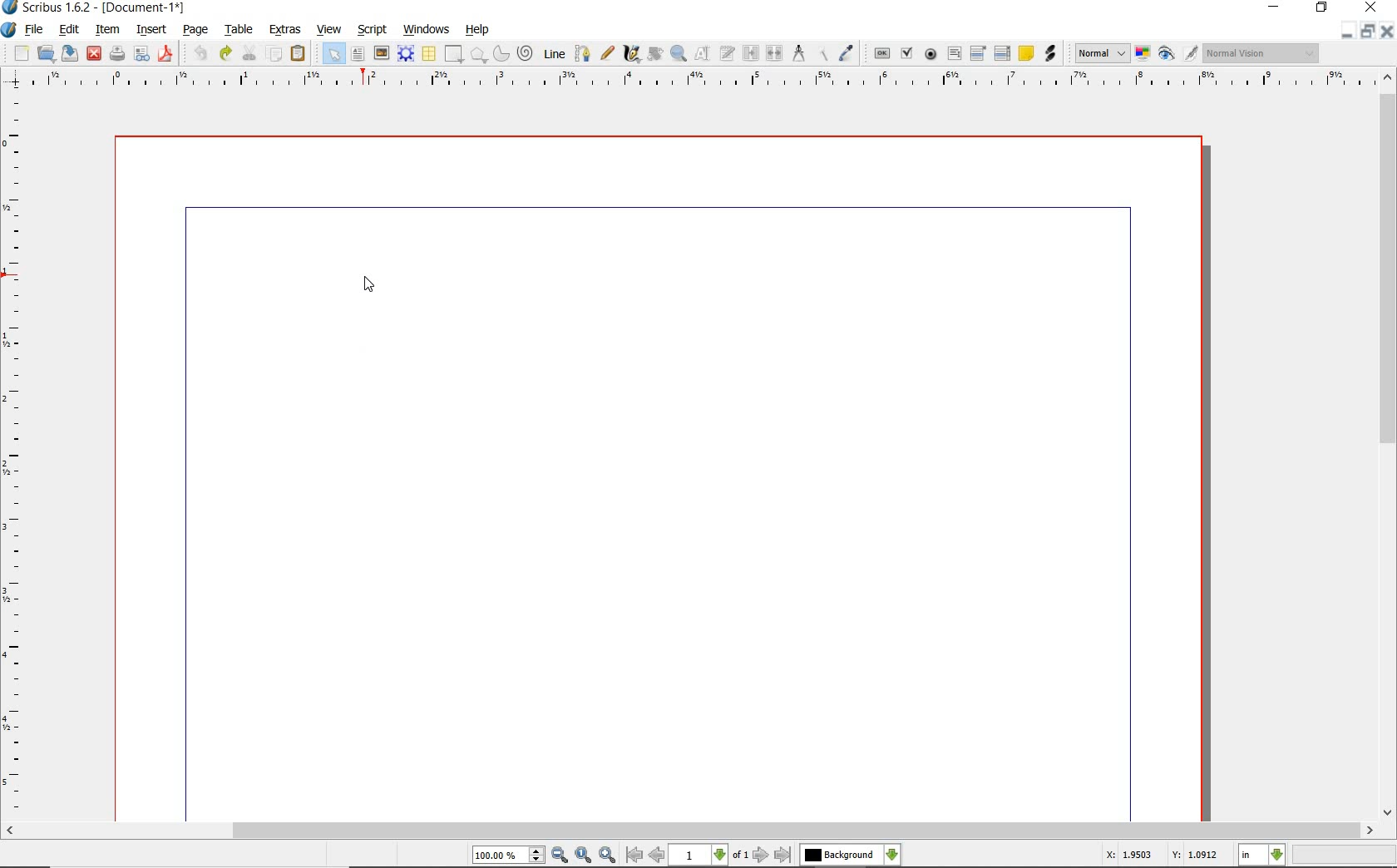 This screenshot has height=868, width=1397. Describe the element at coordinates (955, 53) in the screenshot. I see `pdf text field` at that location.